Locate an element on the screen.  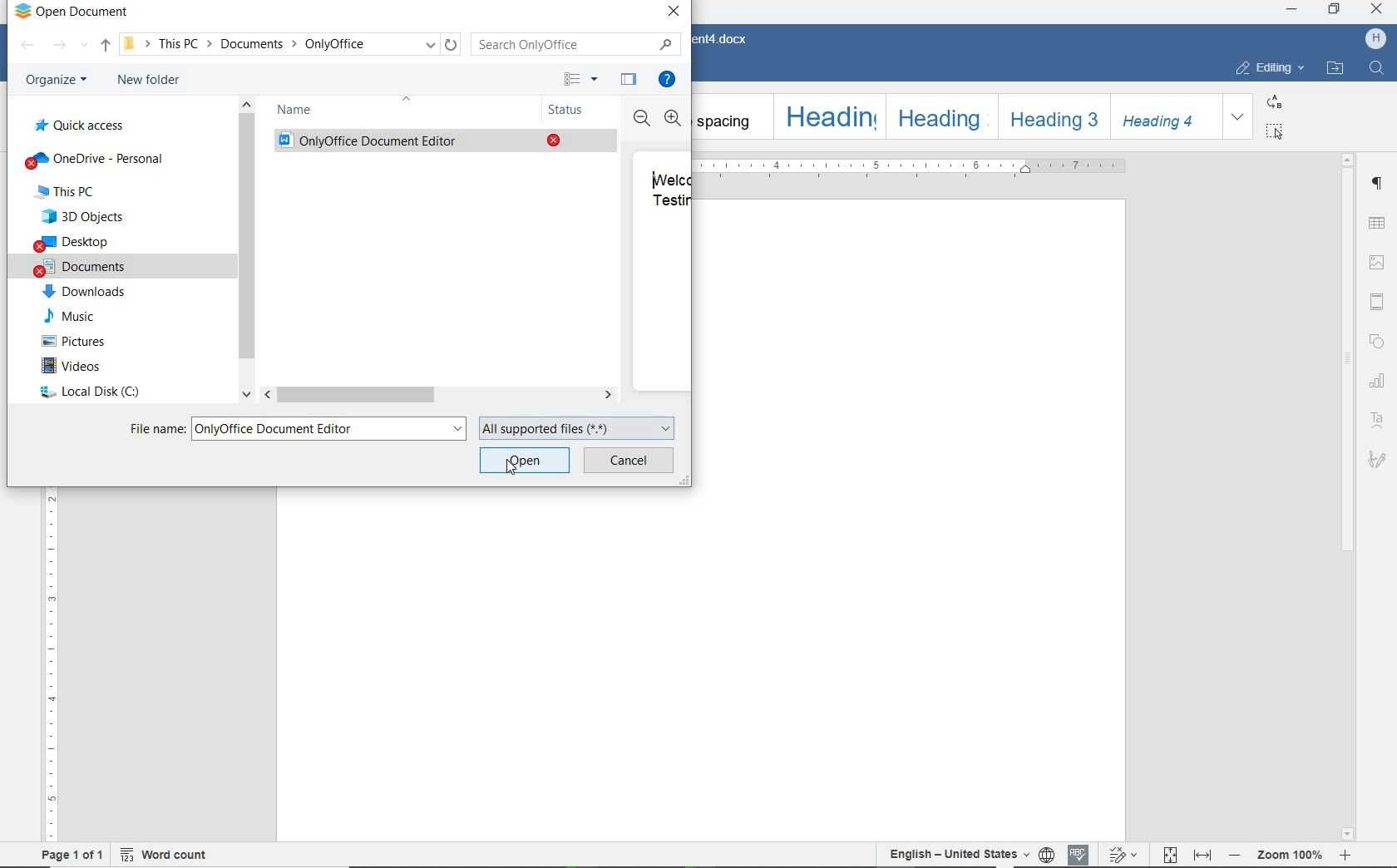
text art is located at coordinates (1380, 420).